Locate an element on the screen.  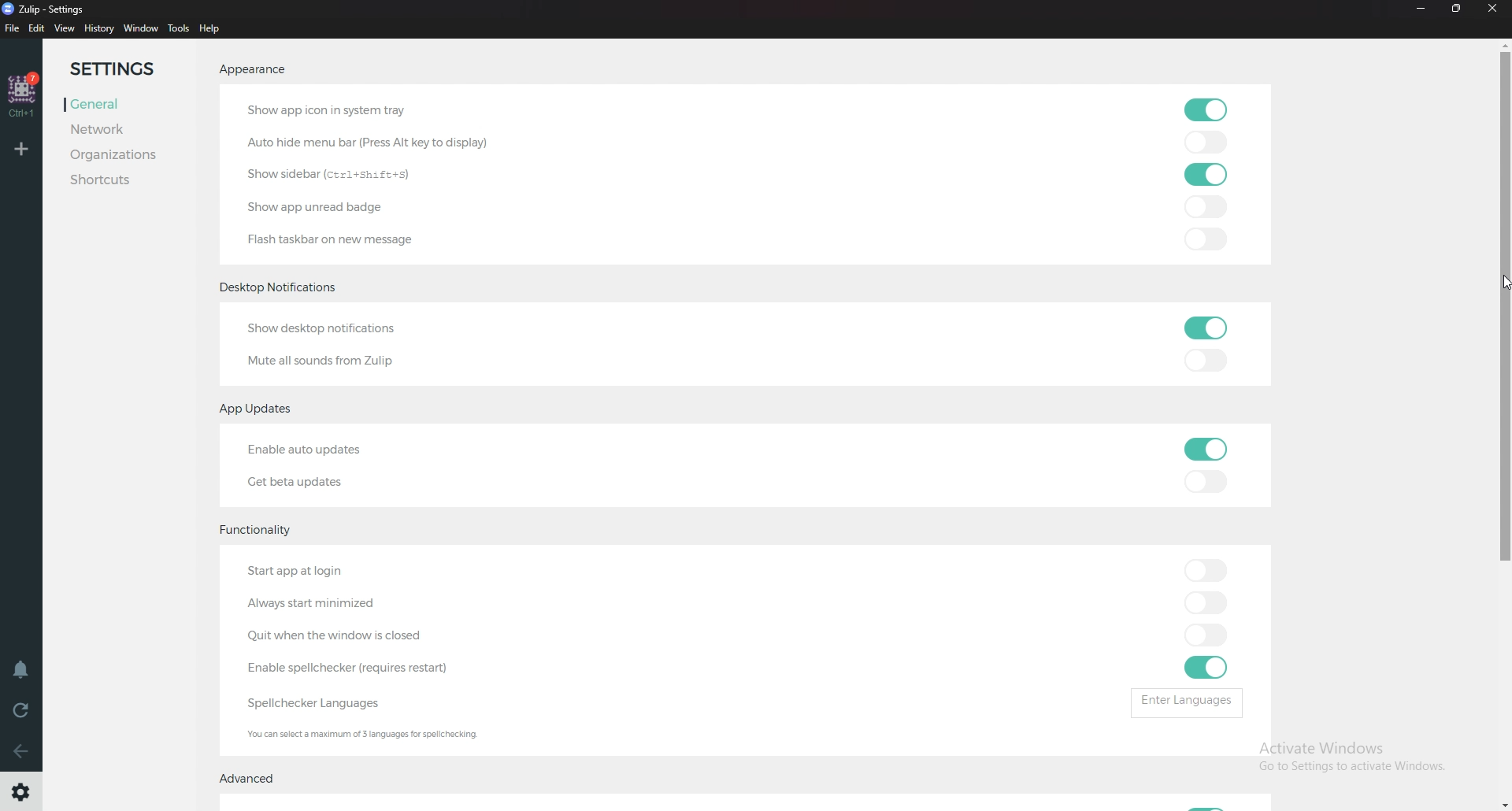
quit when Windows is closed is located at coordinates (361, 637).